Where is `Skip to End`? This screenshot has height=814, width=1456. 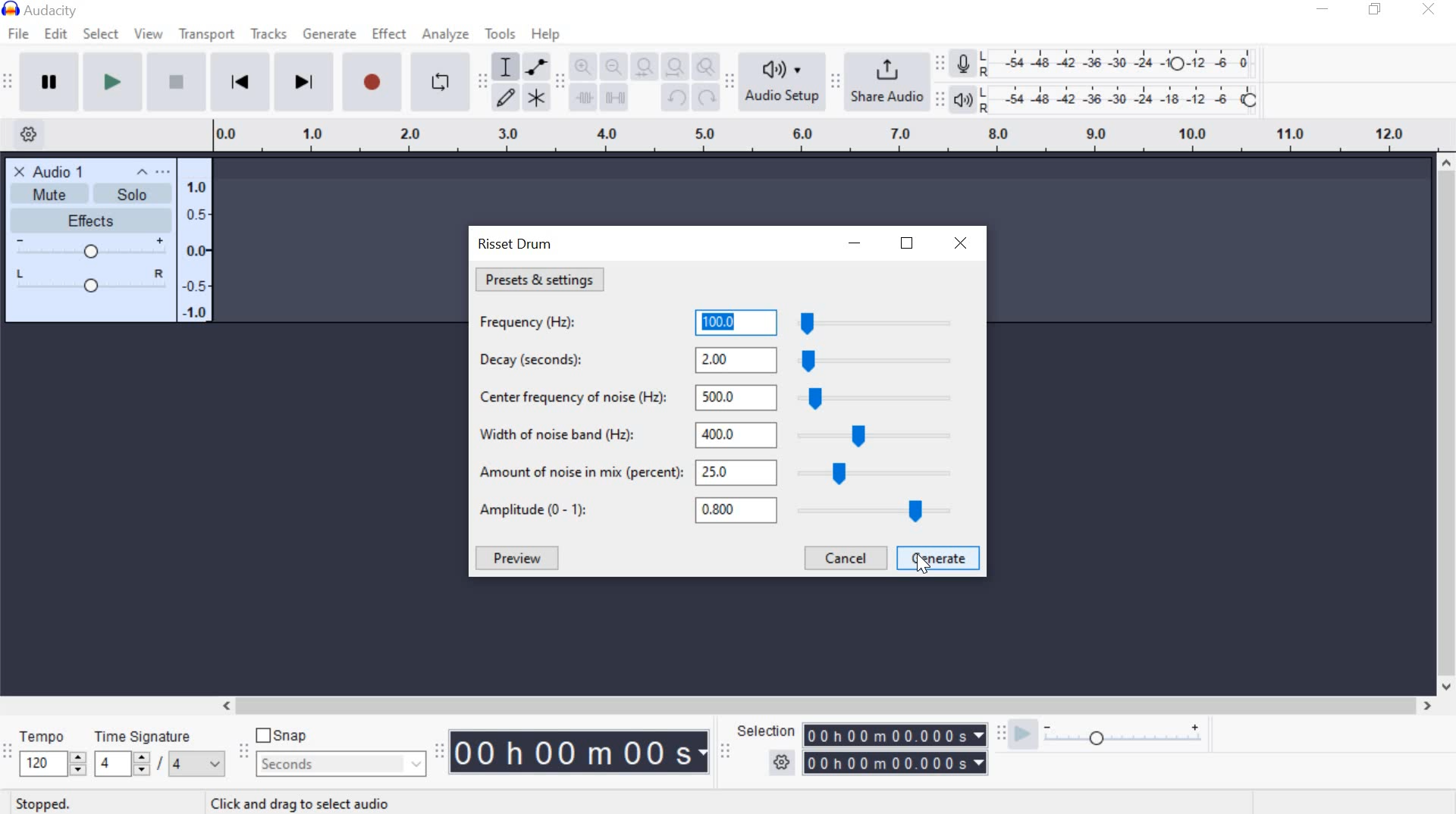 Skip to End is located at coordinates (304, 81).